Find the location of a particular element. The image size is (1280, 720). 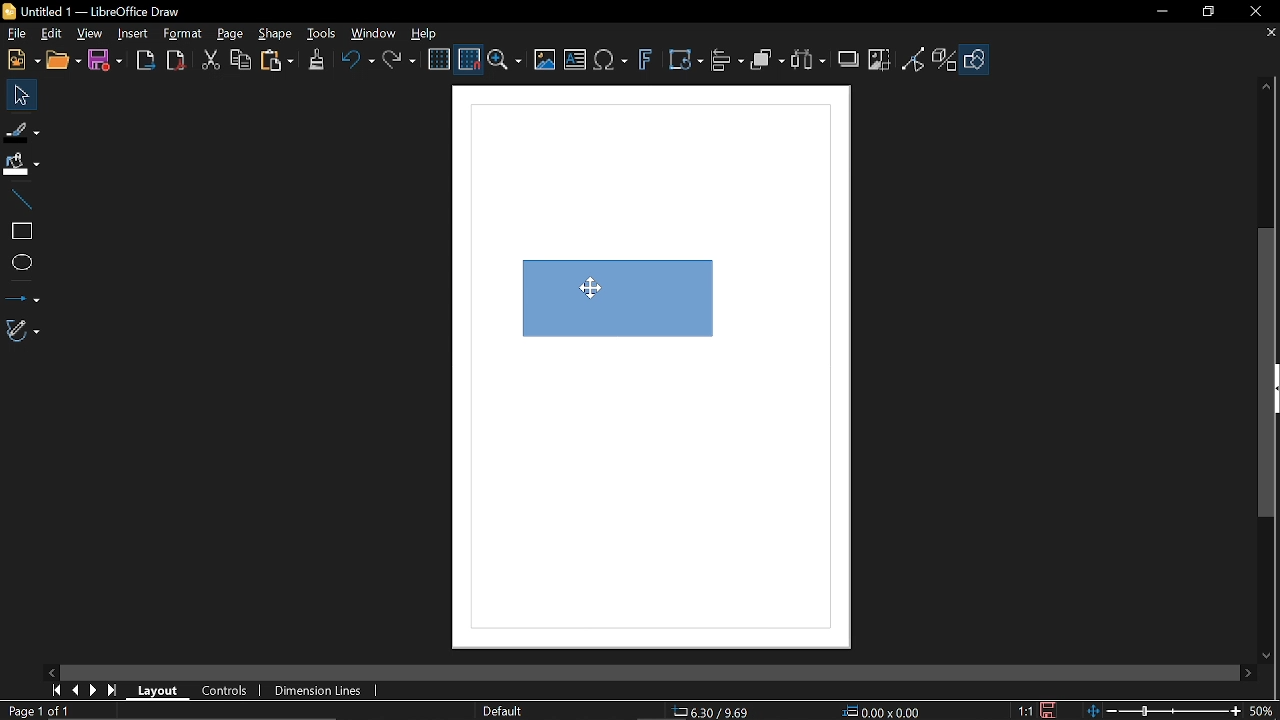

Toggle extrusion is located at coordinates (946, 61).